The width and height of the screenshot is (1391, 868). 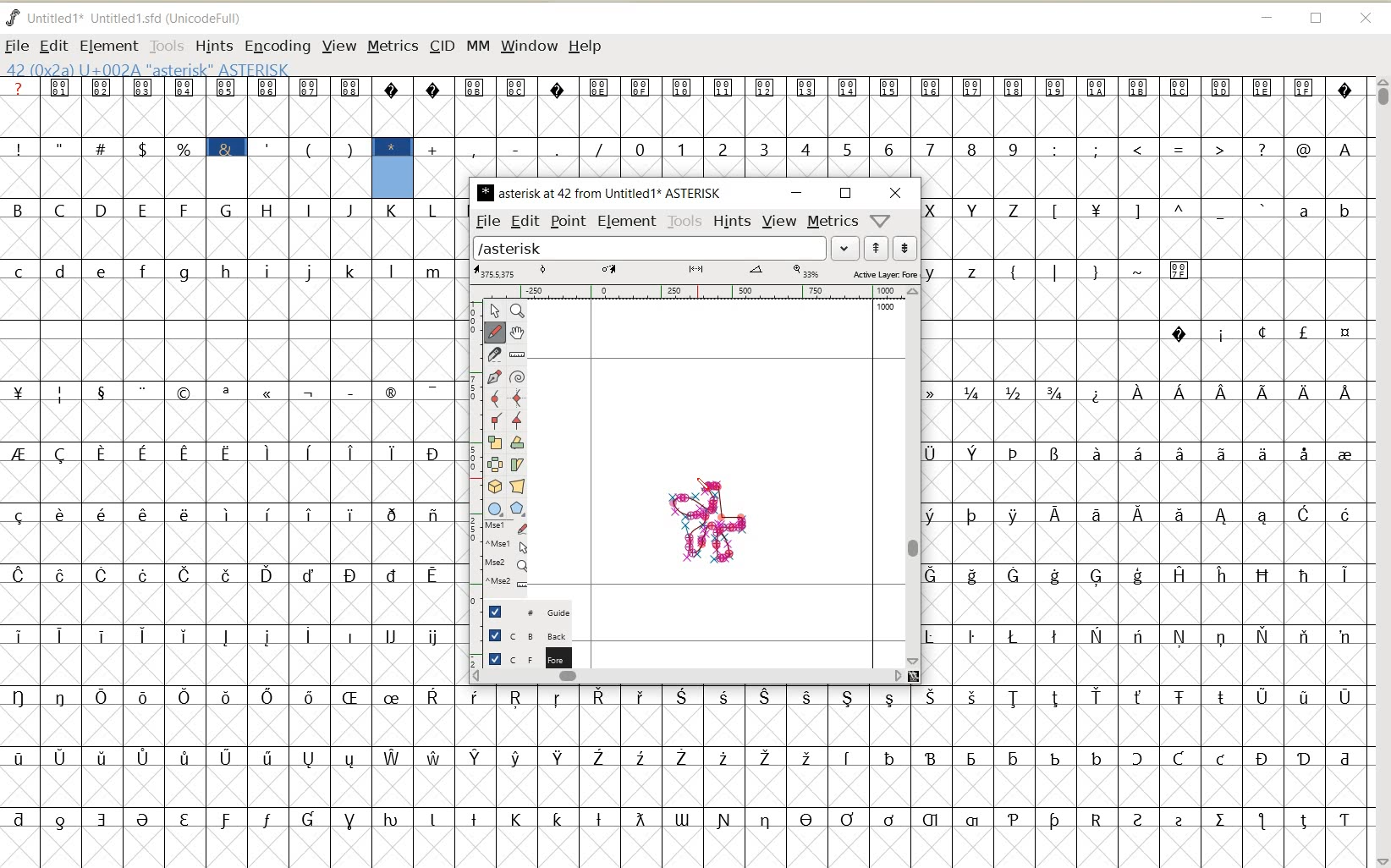 What do you see at coordinates (845, 248) in the screenshot?
I see `EXPAND` at bounding box center [845, 248].